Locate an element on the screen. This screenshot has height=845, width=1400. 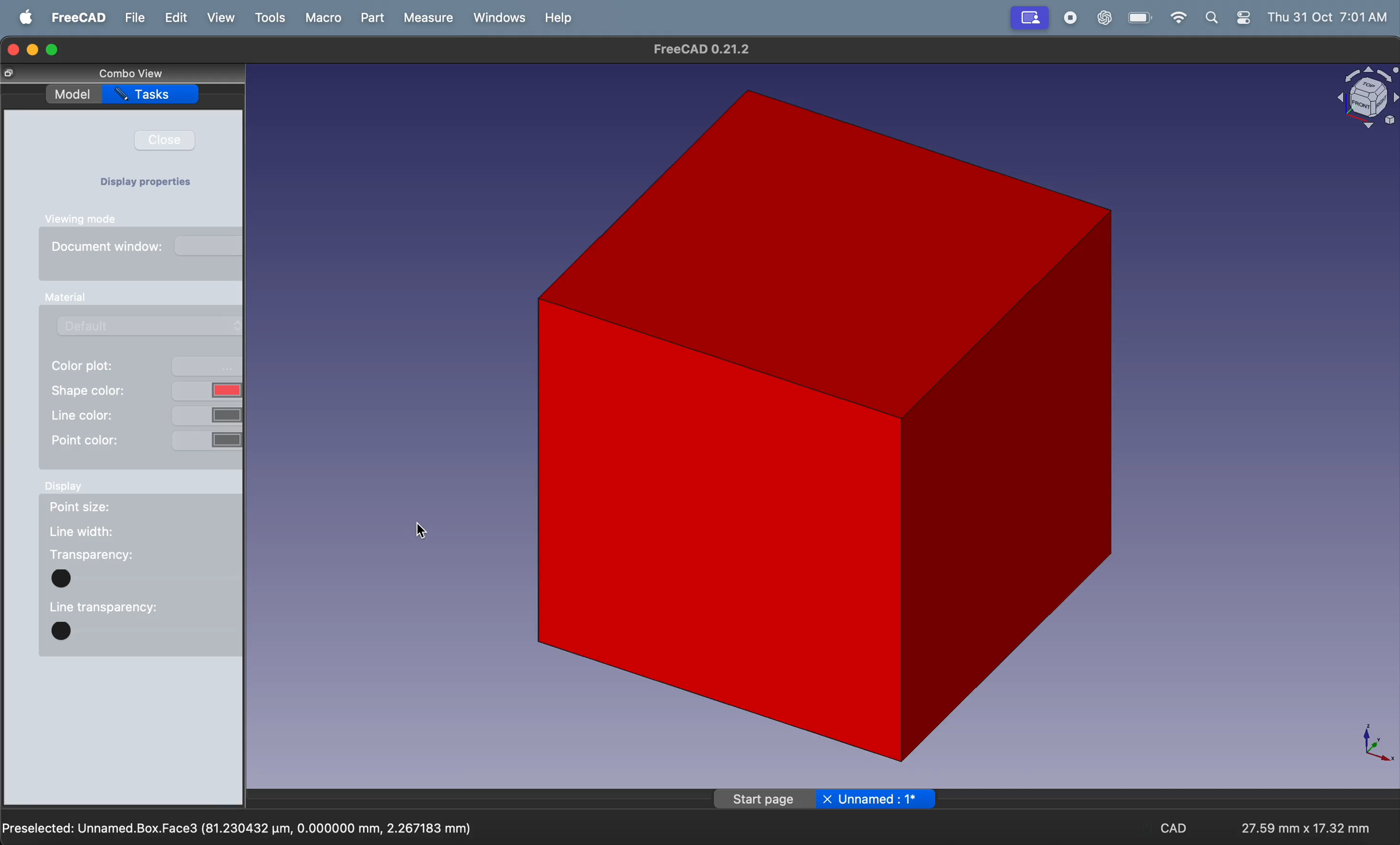
axis is located at coordinates (1370, 742).